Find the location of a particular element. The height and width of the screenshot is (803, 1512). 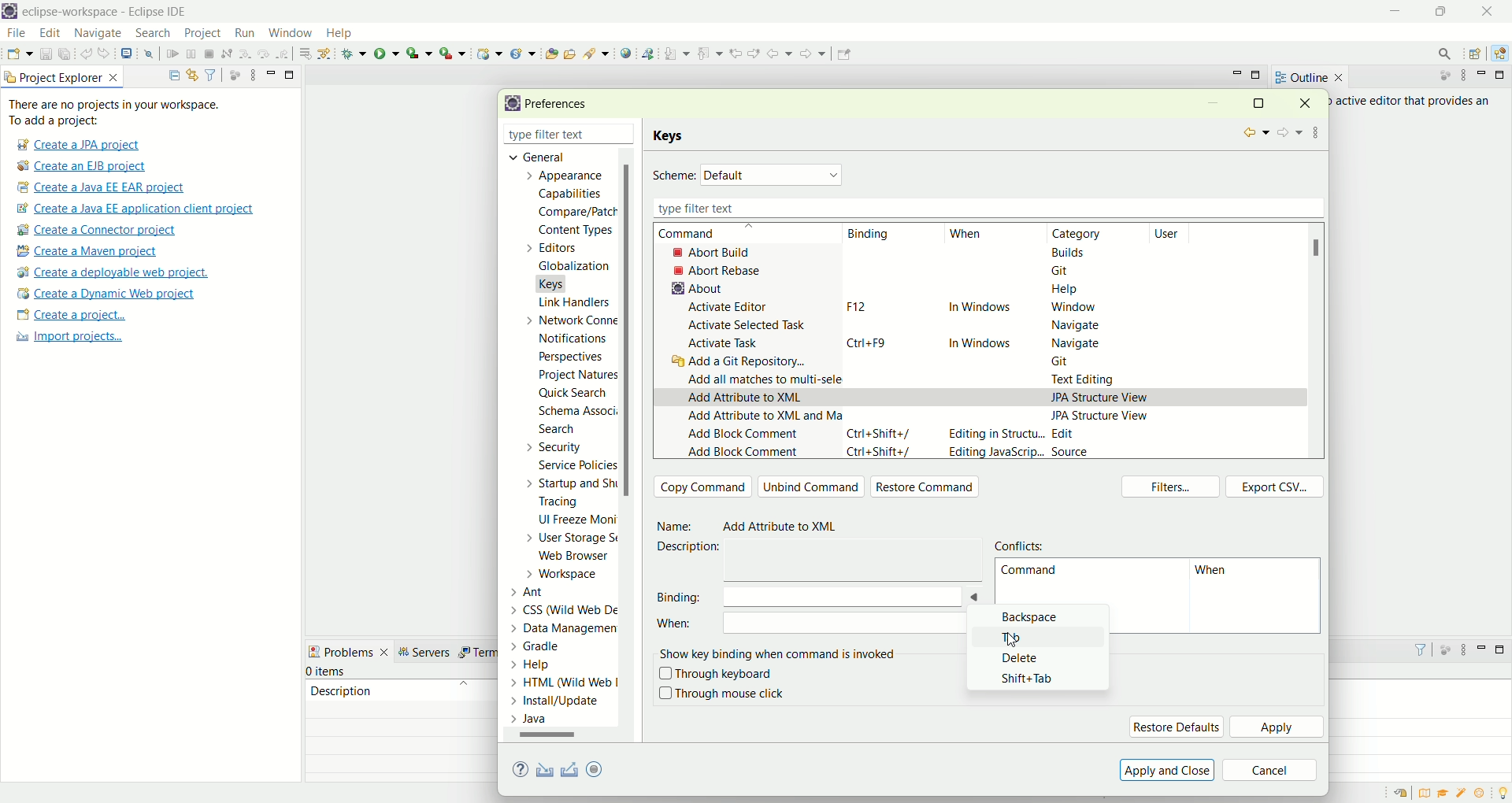

add block comment is located at coordinates (743, 436).